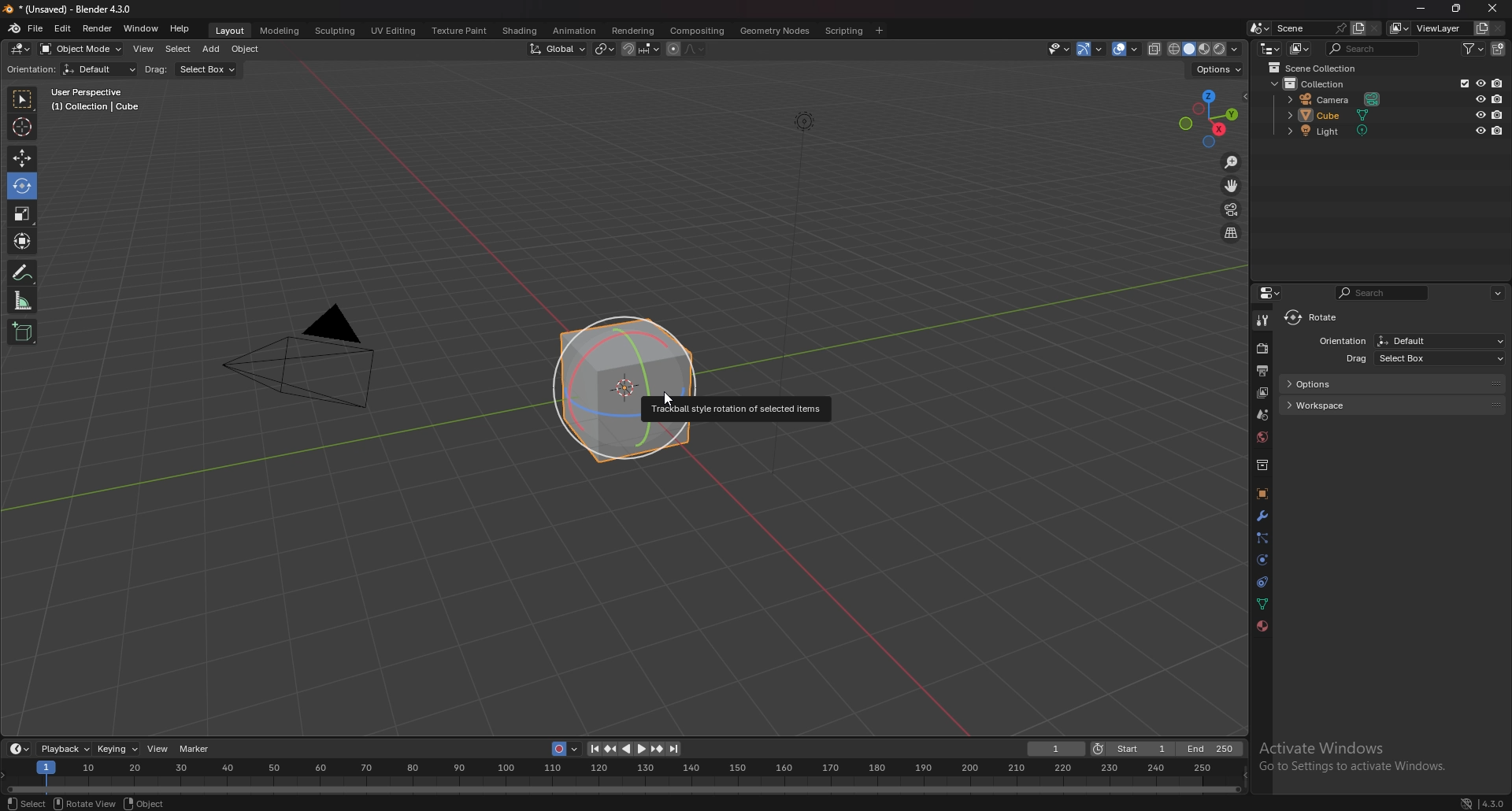 Image resolution: width=1512 pixels, height=811 pixels. Describe the element at coordinates (1462, 83) in the screenshot. I see `exclude from view layer` at that location.